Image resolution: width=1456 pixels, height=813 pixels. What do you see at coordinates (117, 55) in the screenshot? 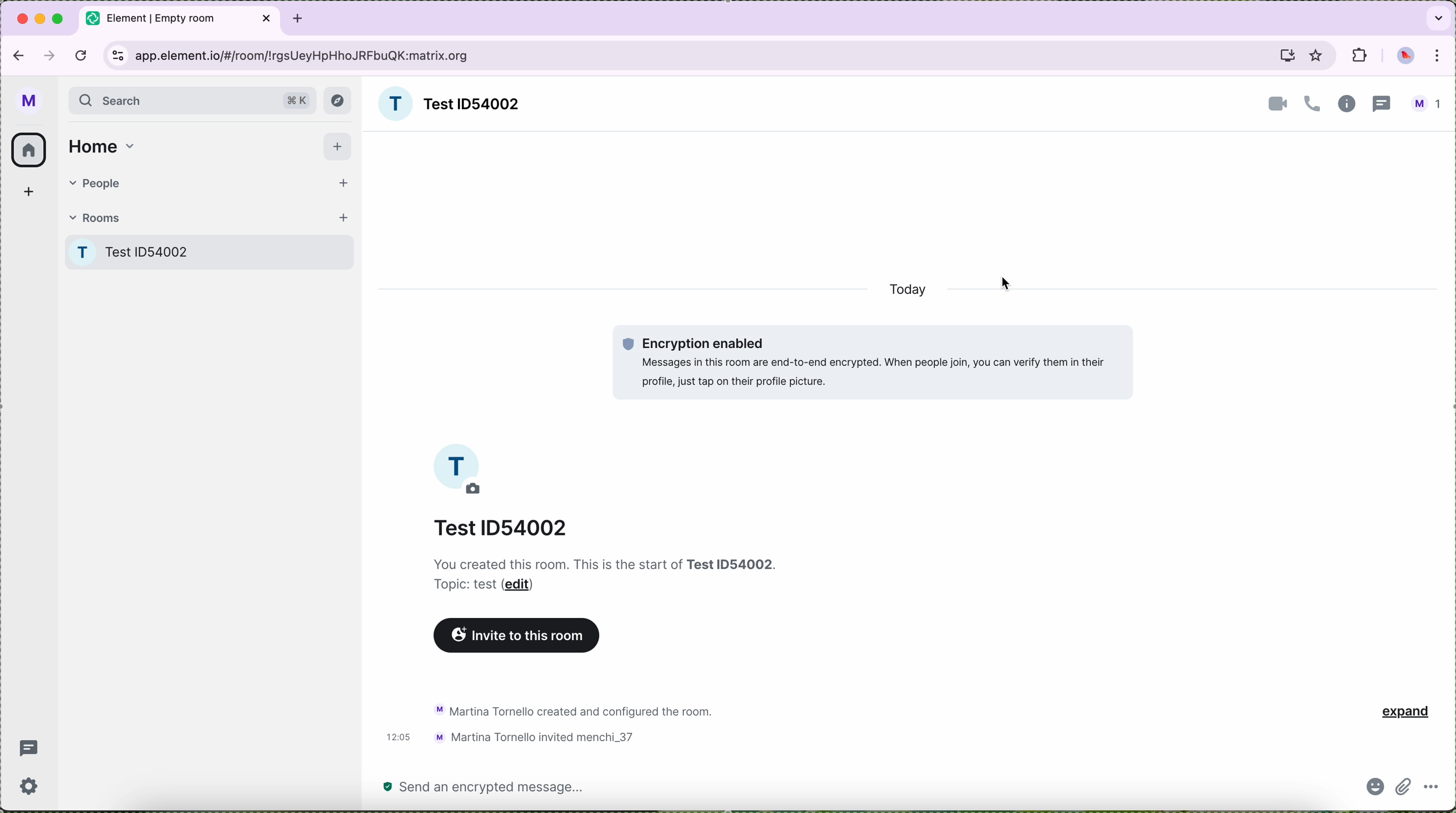
I see `controls` at bounding box center [117, 55].